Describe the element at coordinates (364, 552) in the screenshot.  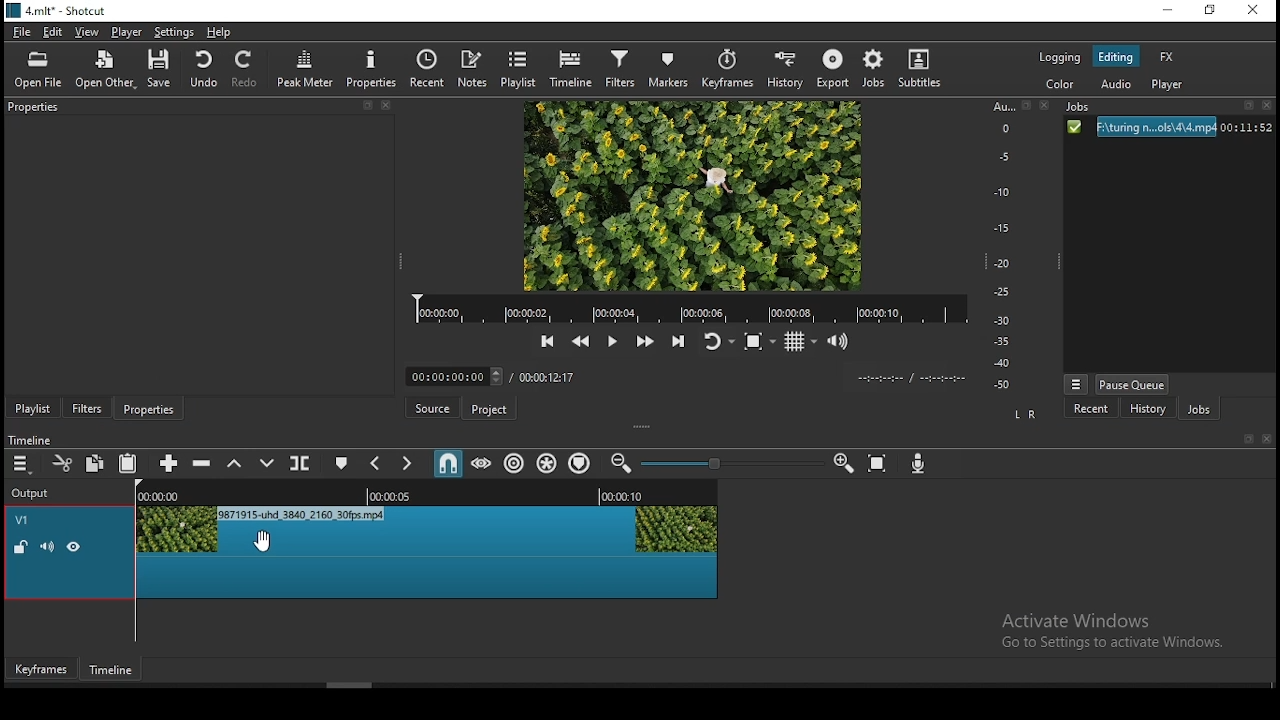
I see `video track` at that location.